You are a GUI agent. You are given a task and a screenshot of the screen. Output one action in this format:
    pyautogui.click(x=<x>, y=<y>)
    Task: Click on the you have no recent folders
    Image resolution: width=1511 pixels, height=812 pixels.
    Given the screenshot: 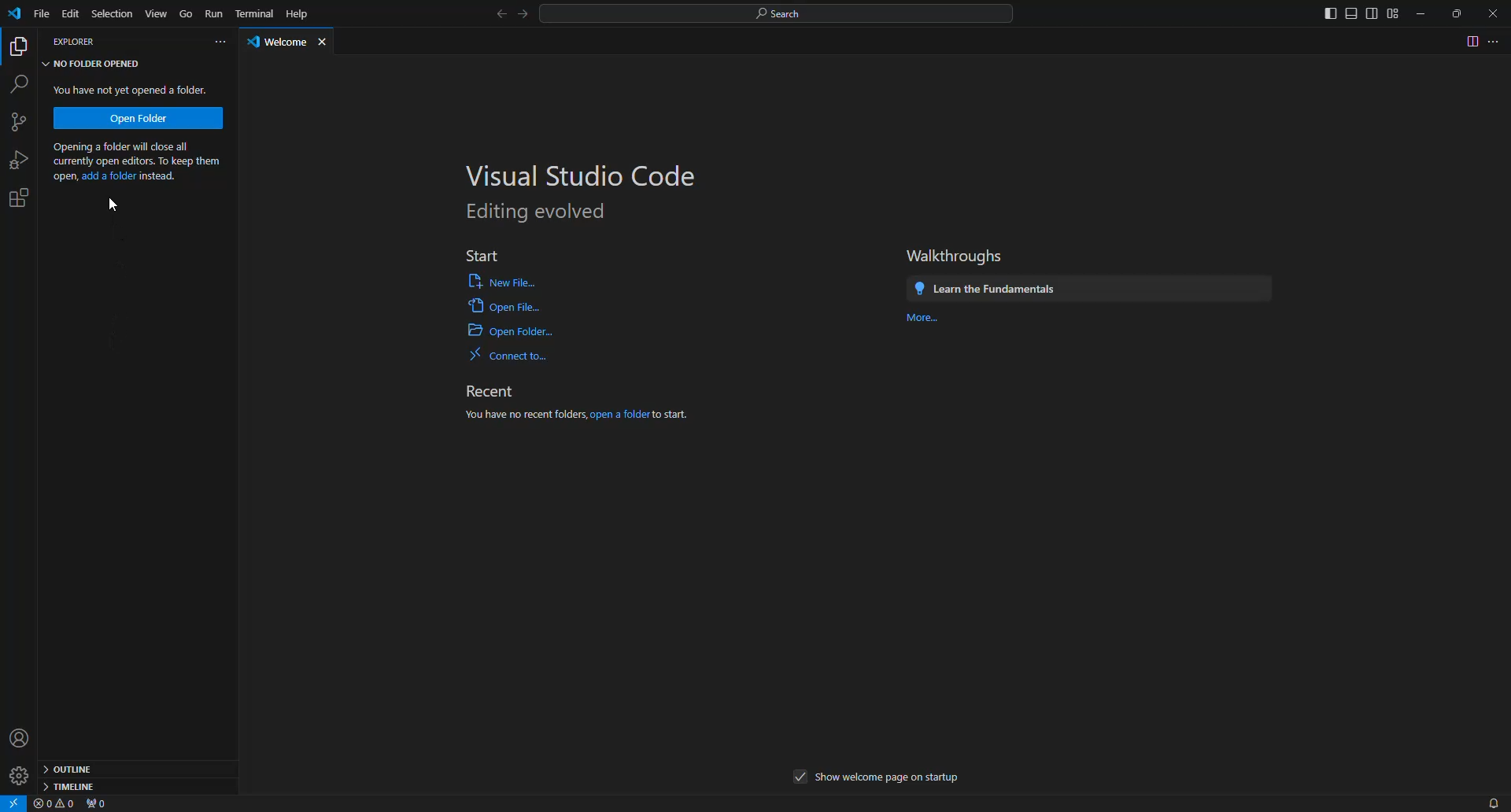 What is the action you would take?
    pyautogui.click(x=524, y=415)
    